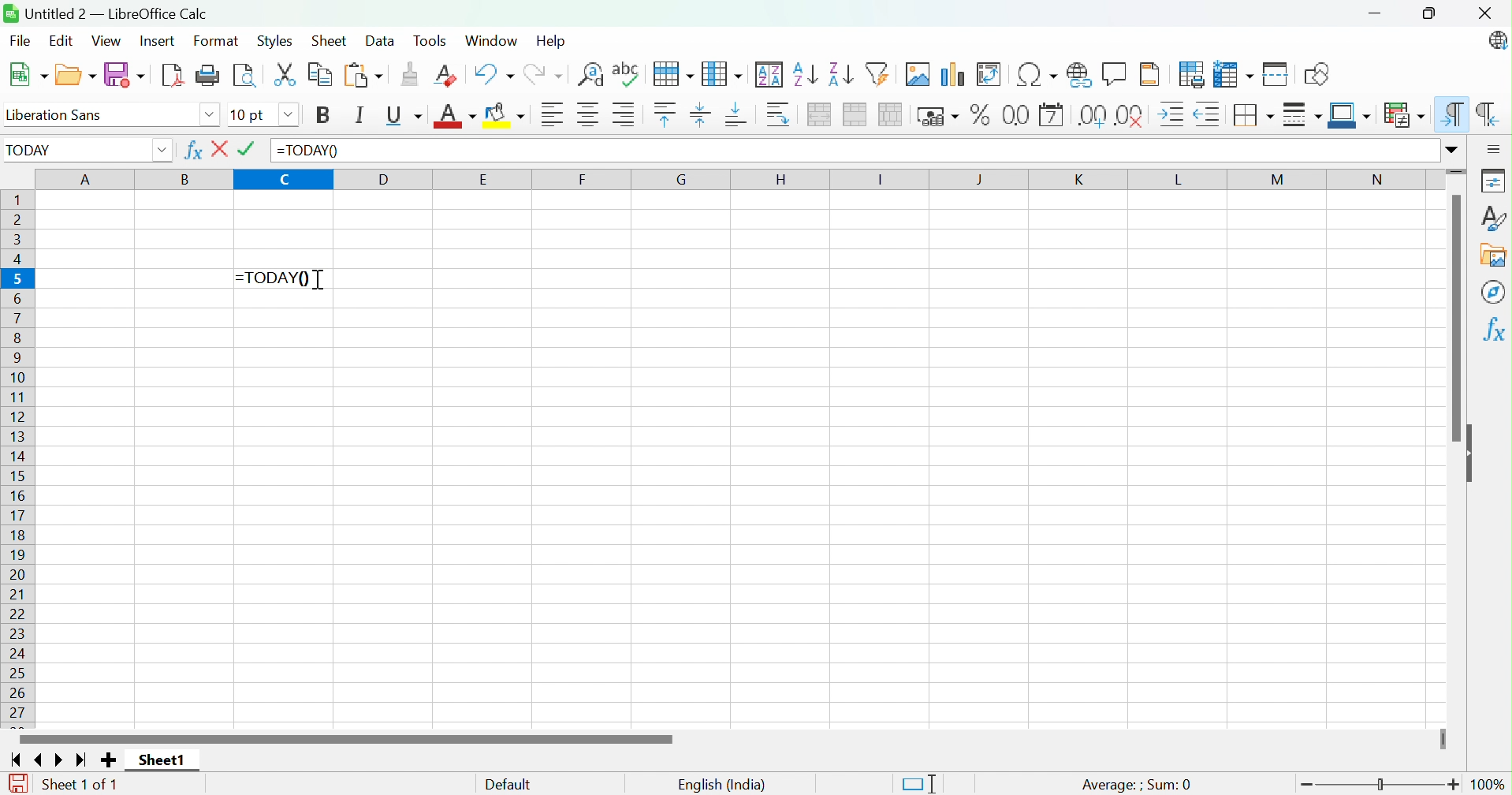 Image resolution: width=1512 pixels, height=795 pixels. What do you see at coordinates (675, 75) in the screenshot?
I see `Spelling` at bounding box center [675, 75].